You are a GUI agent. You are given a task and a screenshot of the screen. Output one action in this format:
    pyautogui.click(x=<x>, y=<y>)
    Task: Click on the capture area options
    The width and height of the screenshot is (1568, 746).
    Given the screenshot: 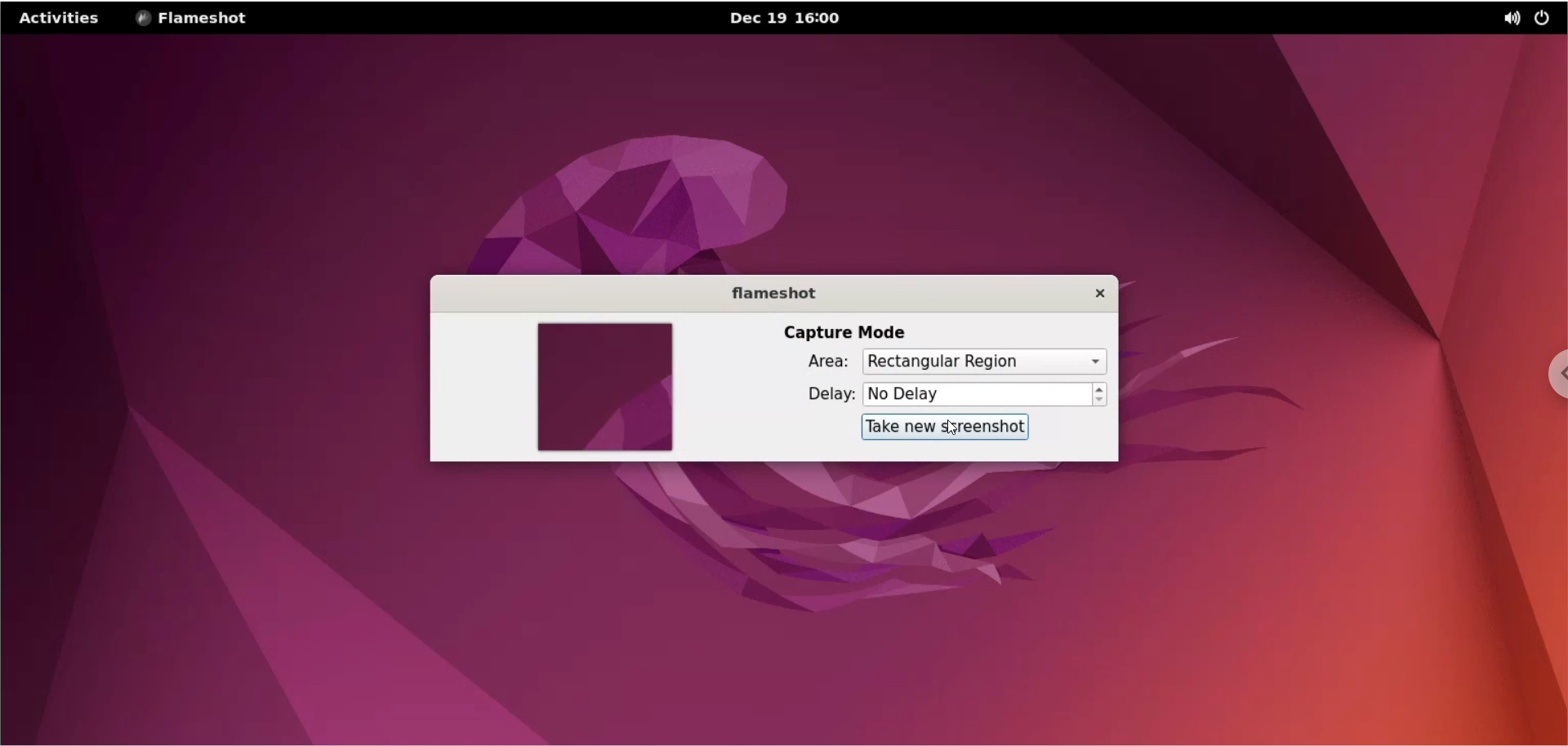 What is the action you would take?
    pyautogui.click(x=984, y=363)
    